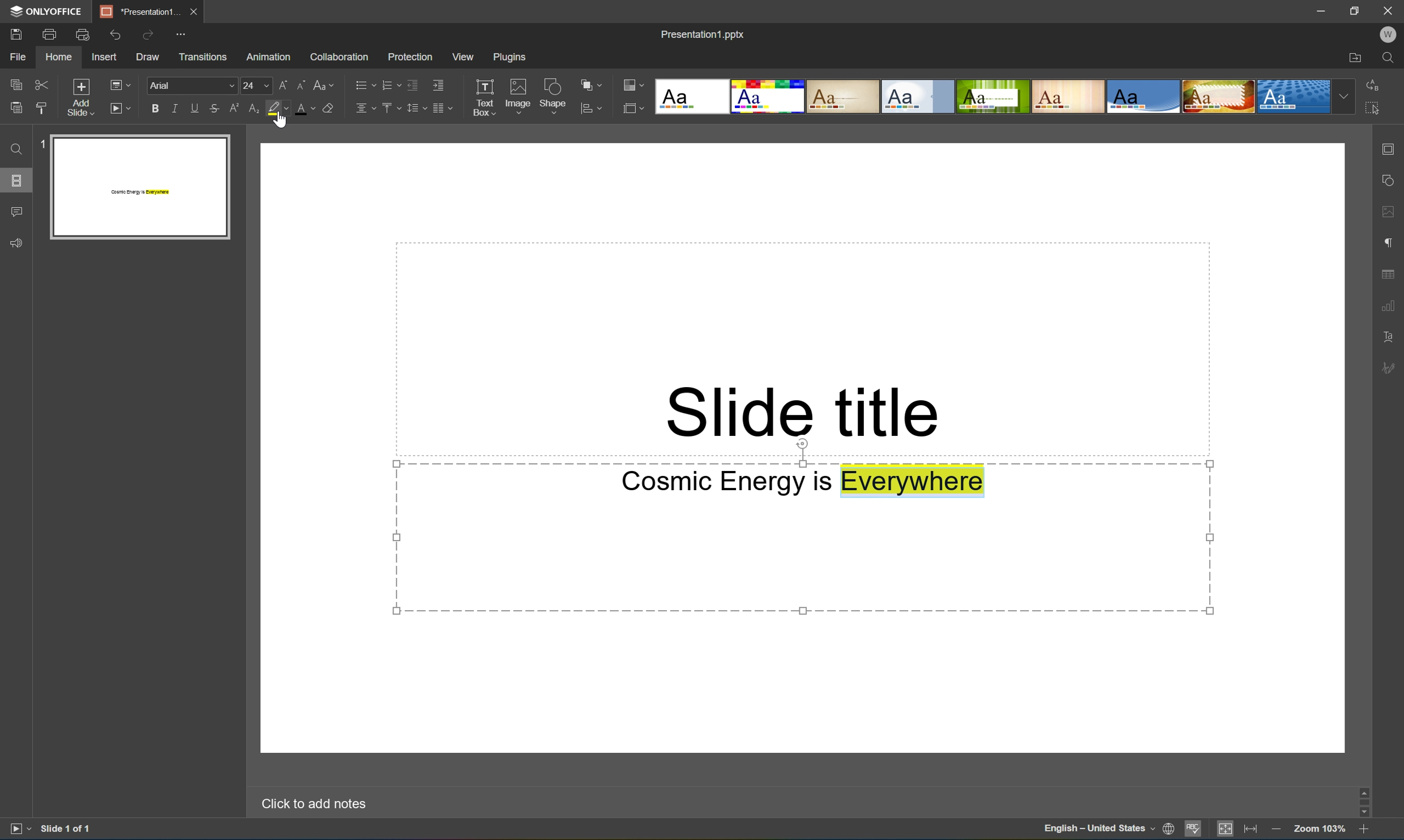 This screenshot has width=1404, height=840. Describe the element at coordinates (272, 54) in the screenshot. I see `Animation` at that location.